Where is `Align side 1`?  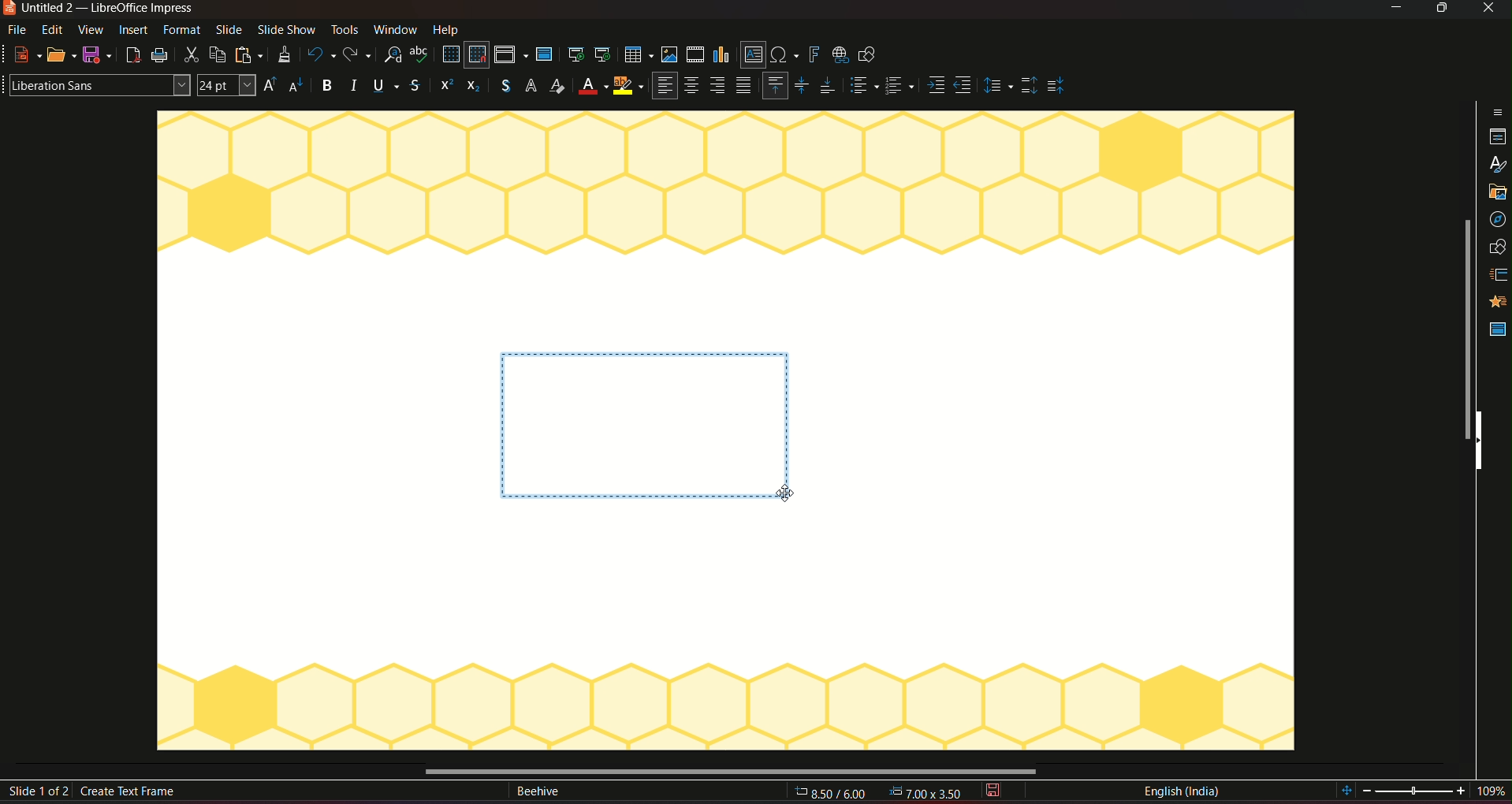
Align side 1 is located at coordinates (935, 86).